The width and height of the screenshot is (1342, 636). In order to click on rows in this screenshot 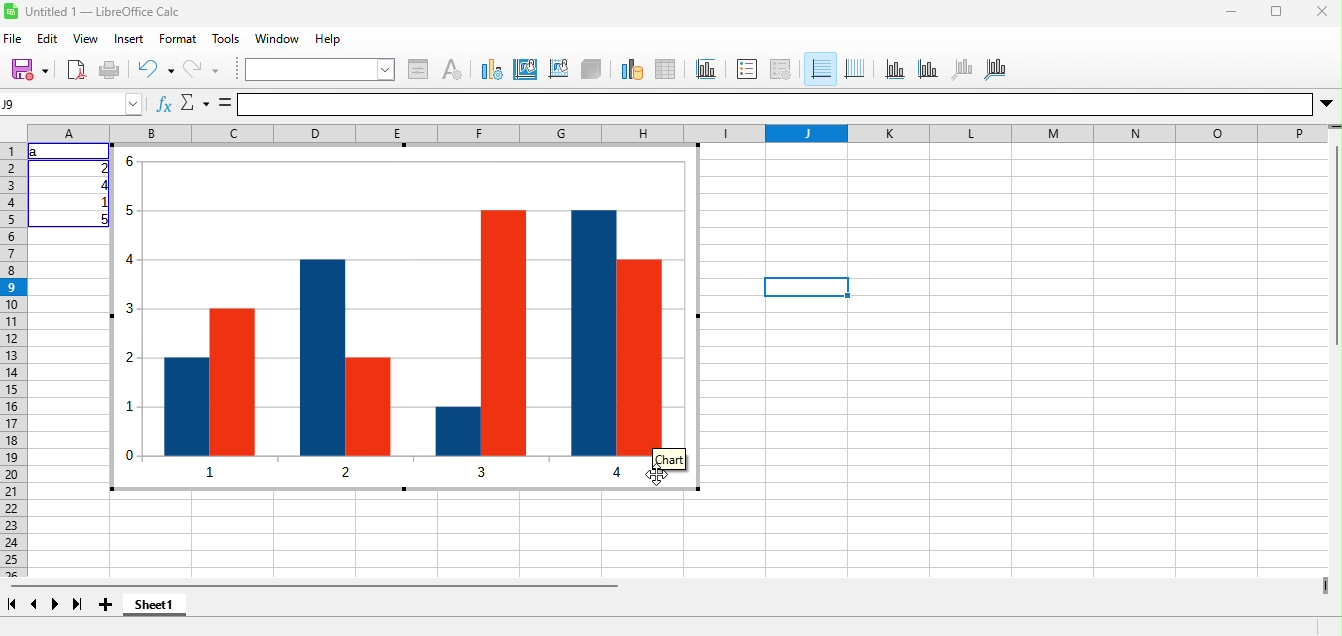, I will do `click(13, 360)`.